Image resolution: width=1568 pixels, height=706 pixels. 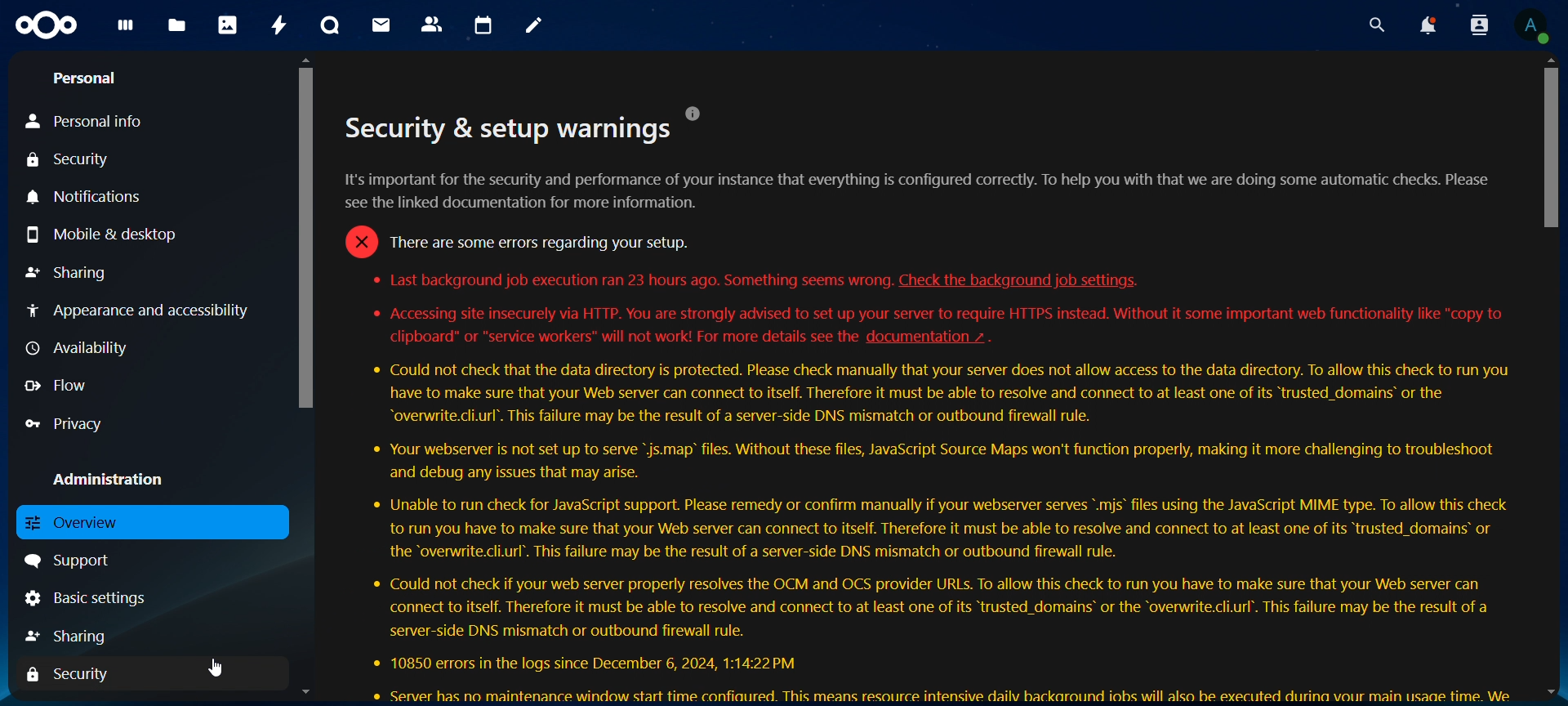 I want to click on support, so click(x=71, y=561).